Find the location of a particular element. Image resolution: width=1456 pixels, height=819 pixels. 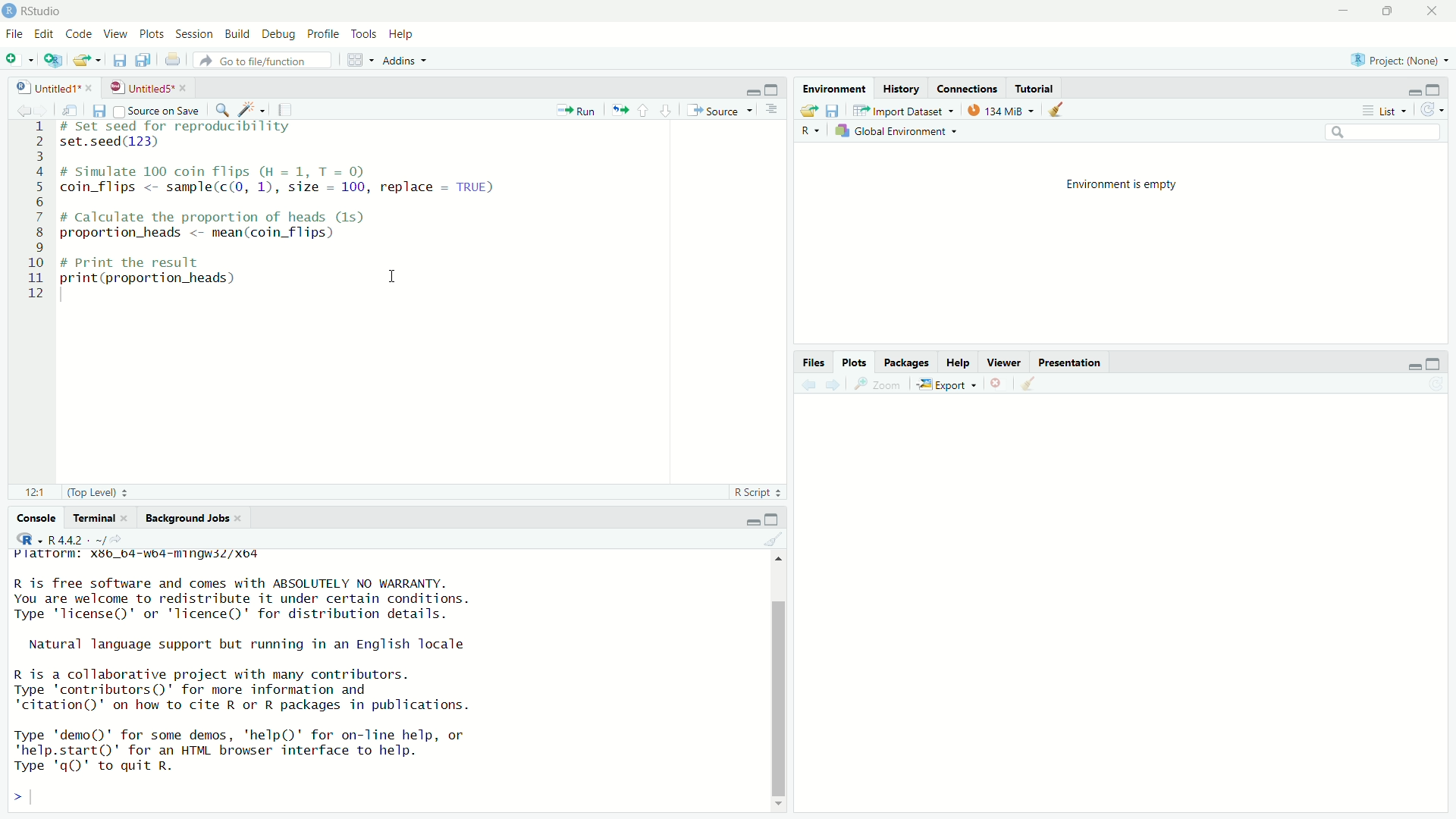

list is located at coordinates (1386, 111).